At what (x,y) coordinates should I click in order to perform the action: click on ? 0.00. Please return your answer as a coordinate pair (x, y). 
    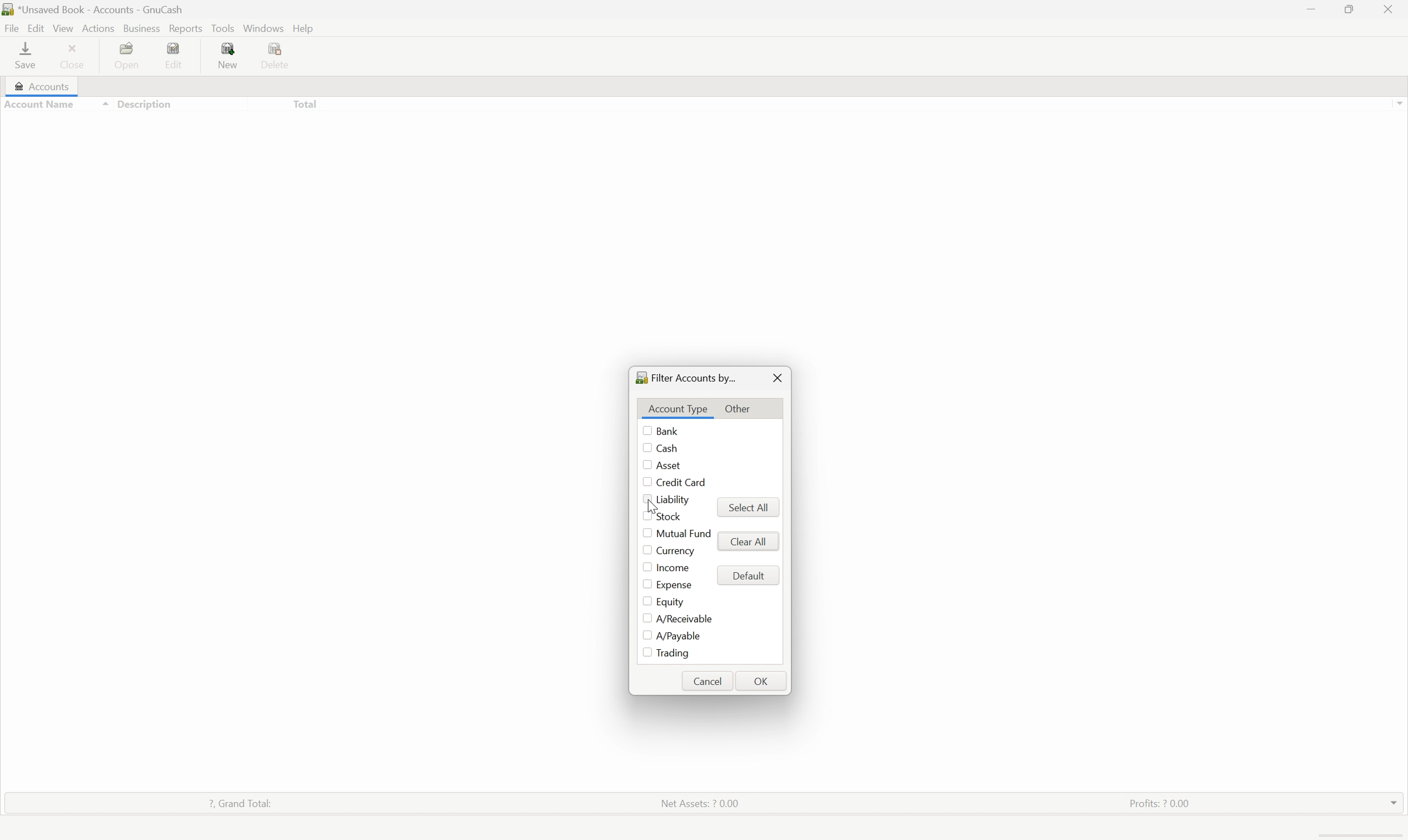
    Looking at the image, I should click on (306, 188).